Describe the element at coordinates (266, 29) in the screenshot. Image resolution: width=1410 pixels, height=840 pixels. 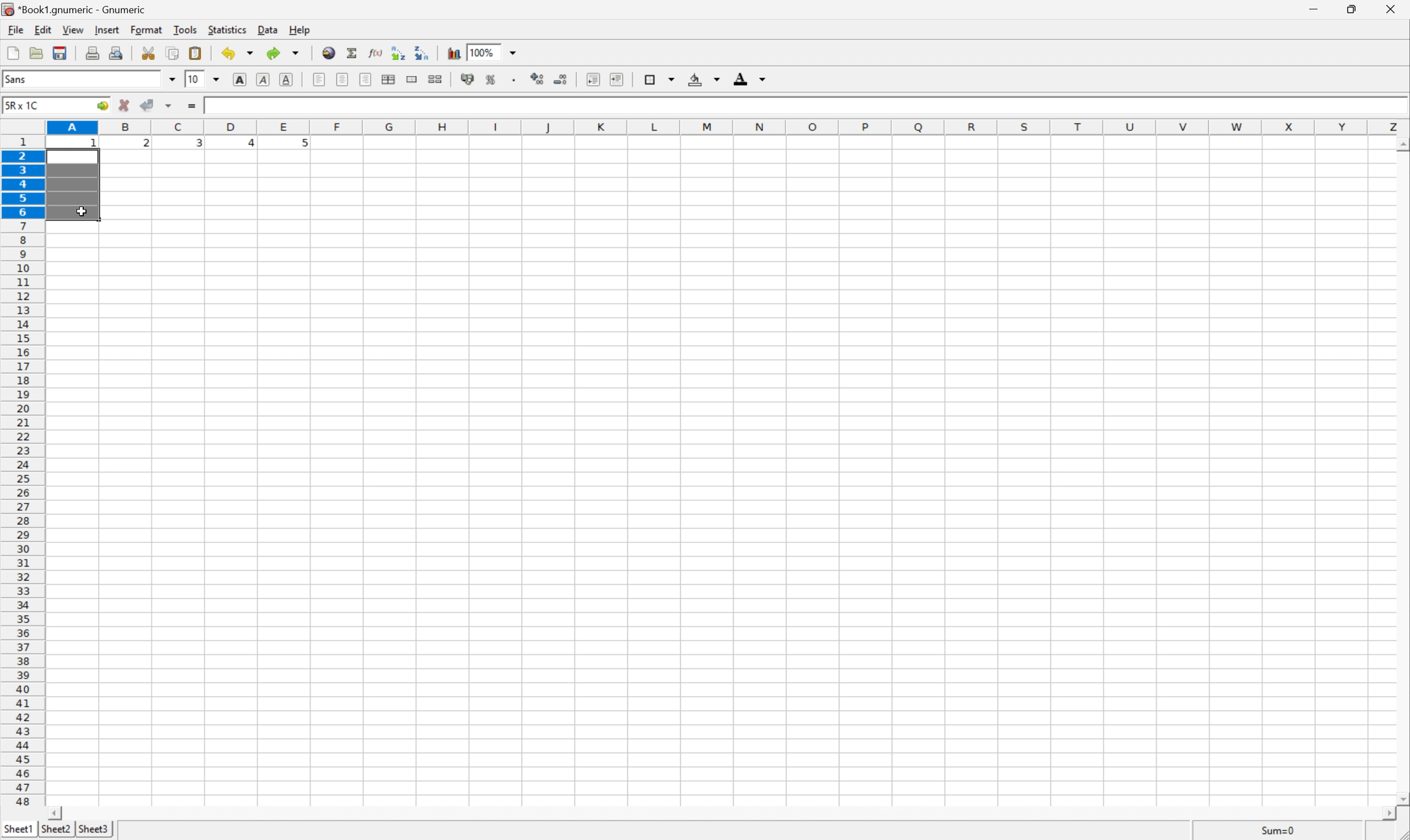
I see `data` at that location.